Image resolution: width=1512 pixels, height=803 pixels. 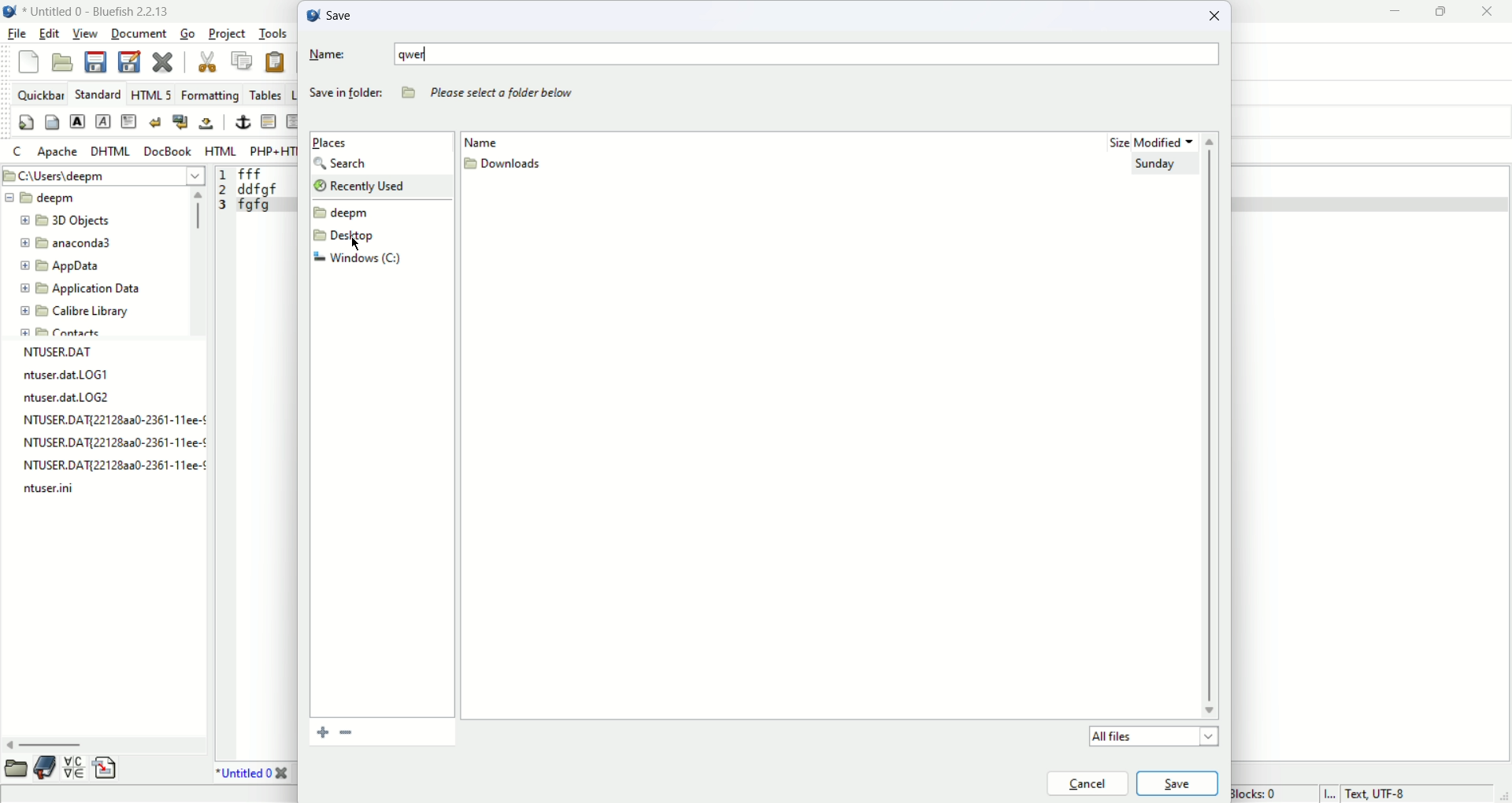 What do you see at coordinates (276, 64) in the screenshot?
I see `paste` at bounding box center [276, 64].